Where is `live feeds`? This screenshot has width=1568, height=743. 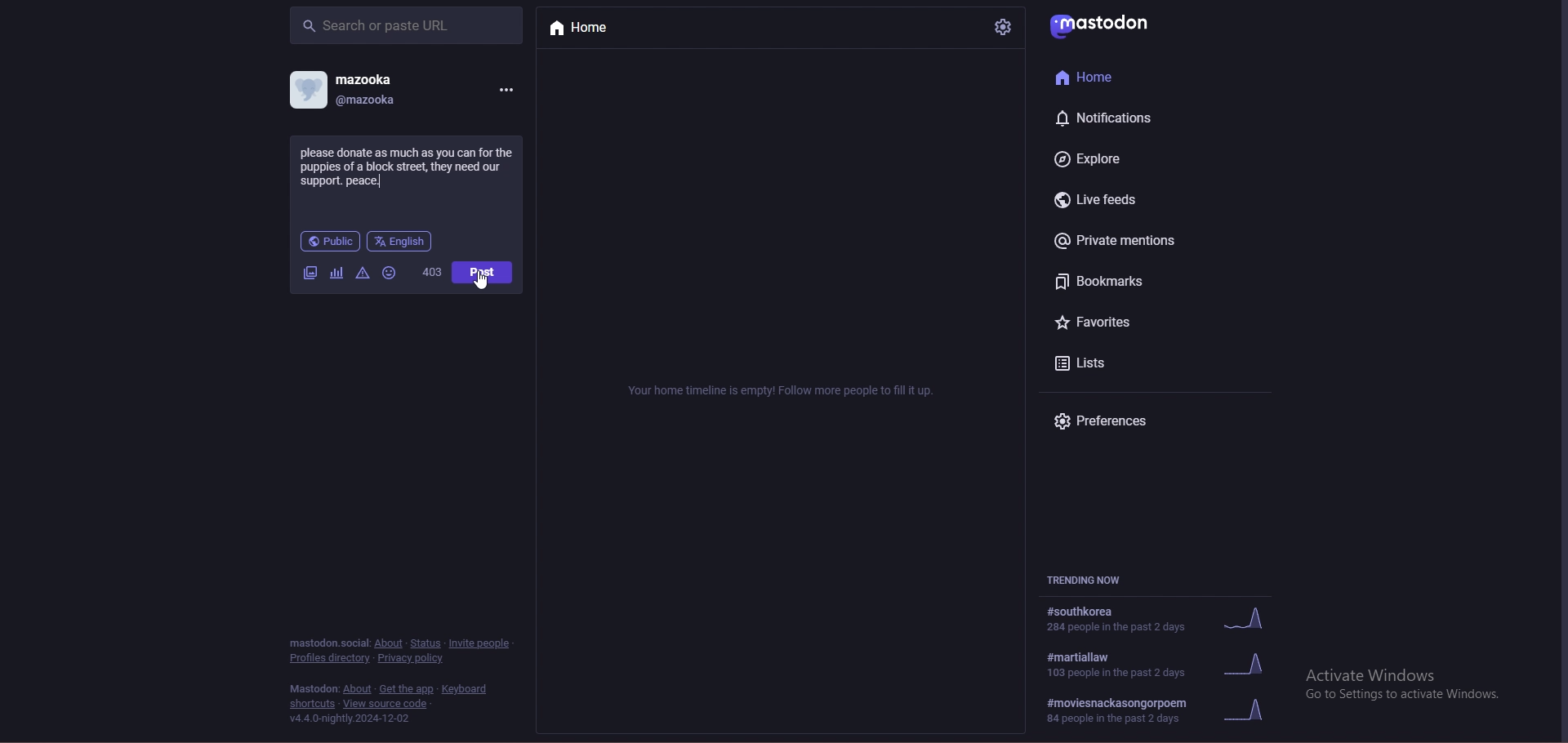 live feeds is located at coordinates (1143, 200).